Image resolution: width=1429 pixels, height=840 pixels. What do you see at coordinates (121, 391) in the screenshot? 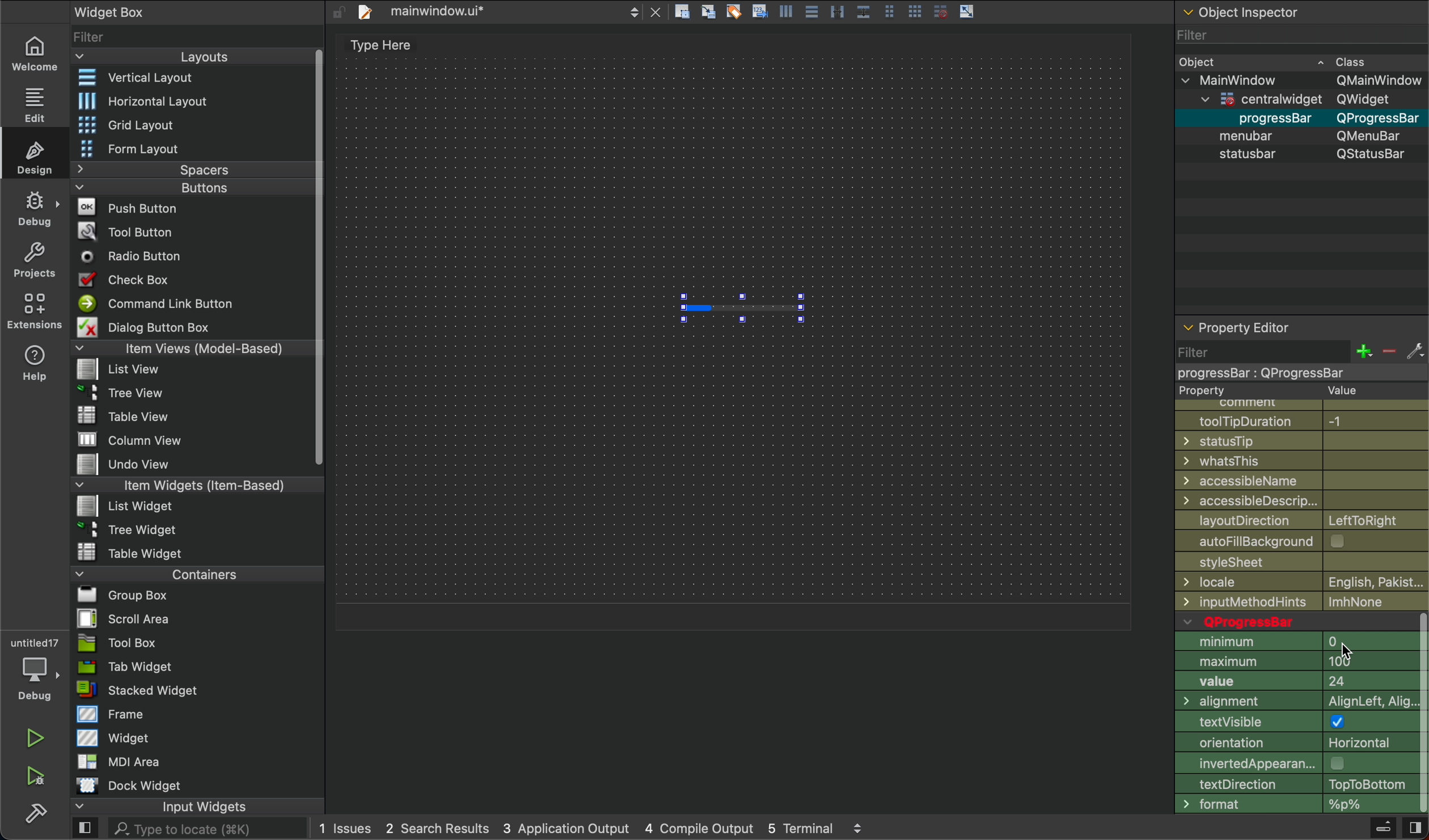
I see `File` at bounding box center [121, 391].